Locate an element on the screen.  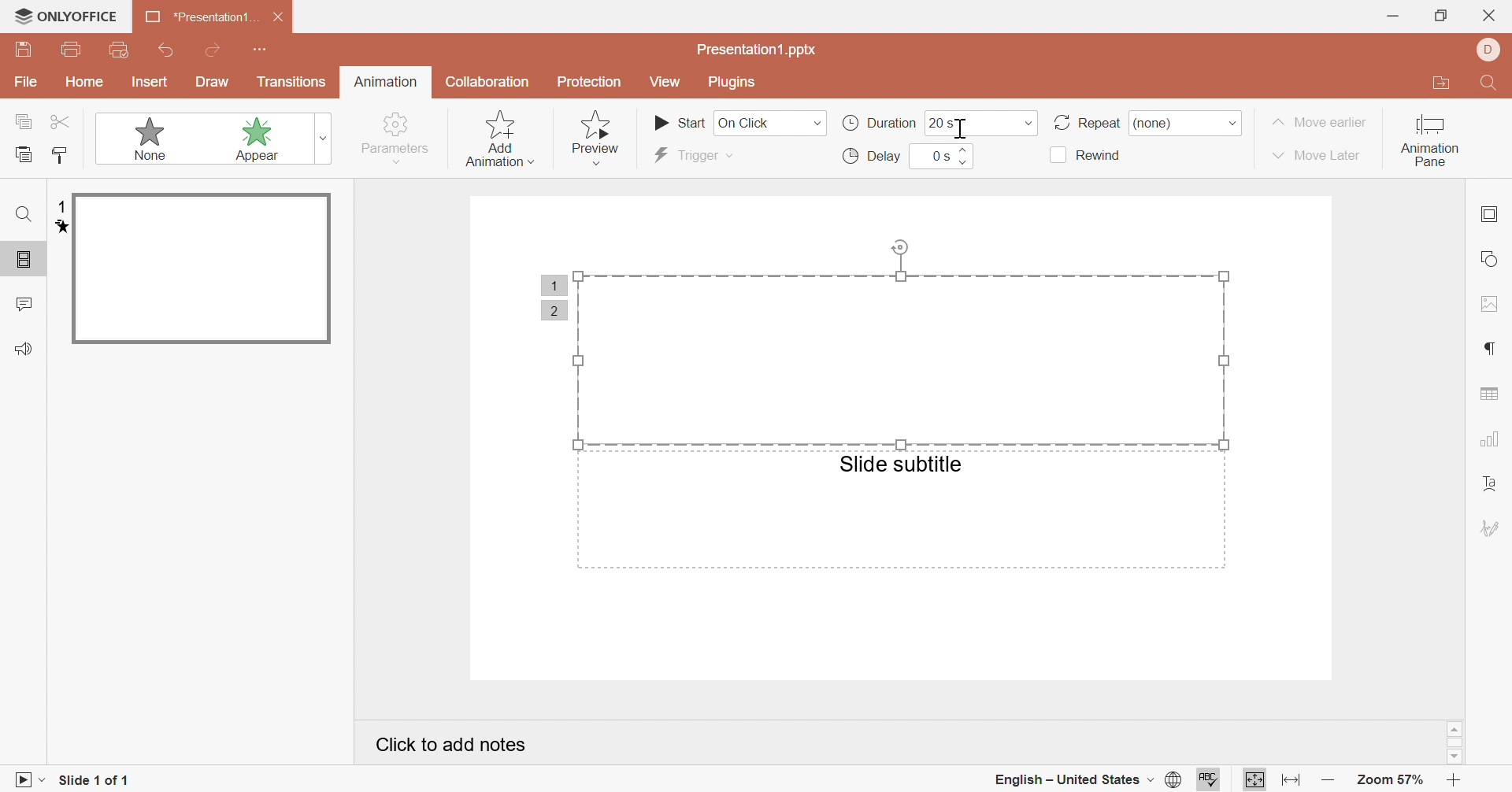
rewind is located at coordinates (1087, 156).